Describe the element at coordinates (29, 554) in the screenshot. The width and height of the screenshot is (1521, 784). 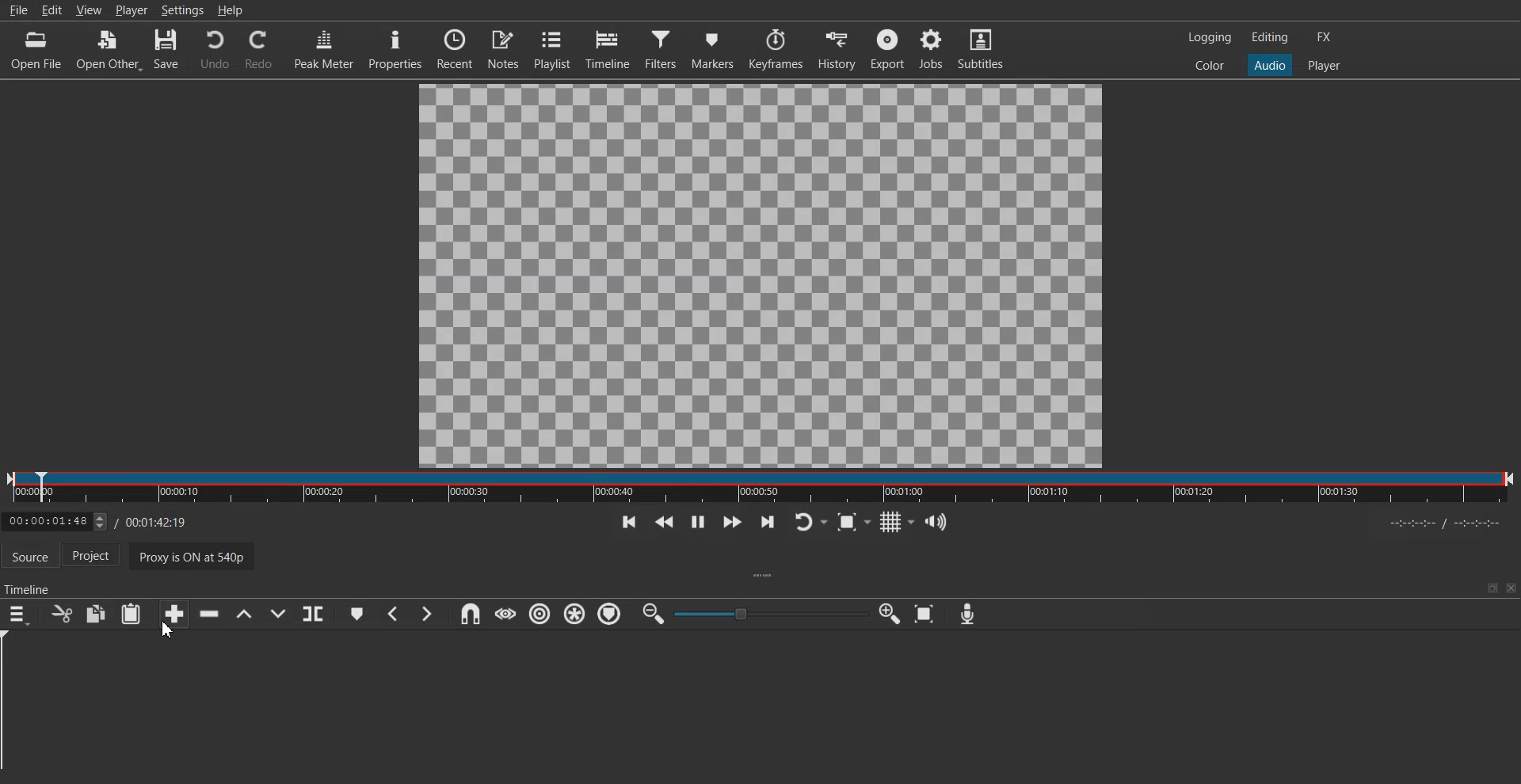
I see `Source` at that location.